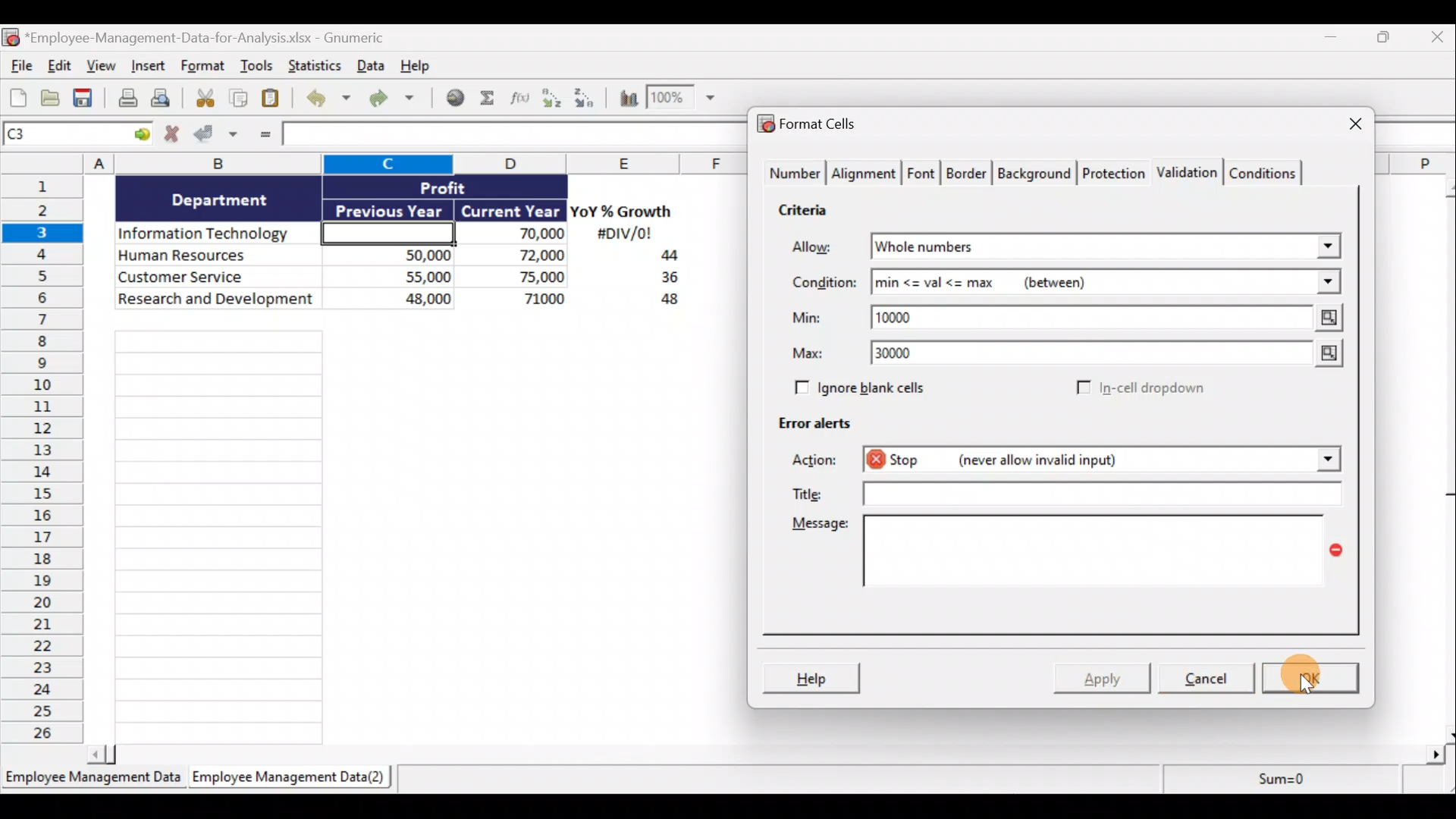 The image size is (1456, 819). I want to click on Minimize, so click(1336, 40).